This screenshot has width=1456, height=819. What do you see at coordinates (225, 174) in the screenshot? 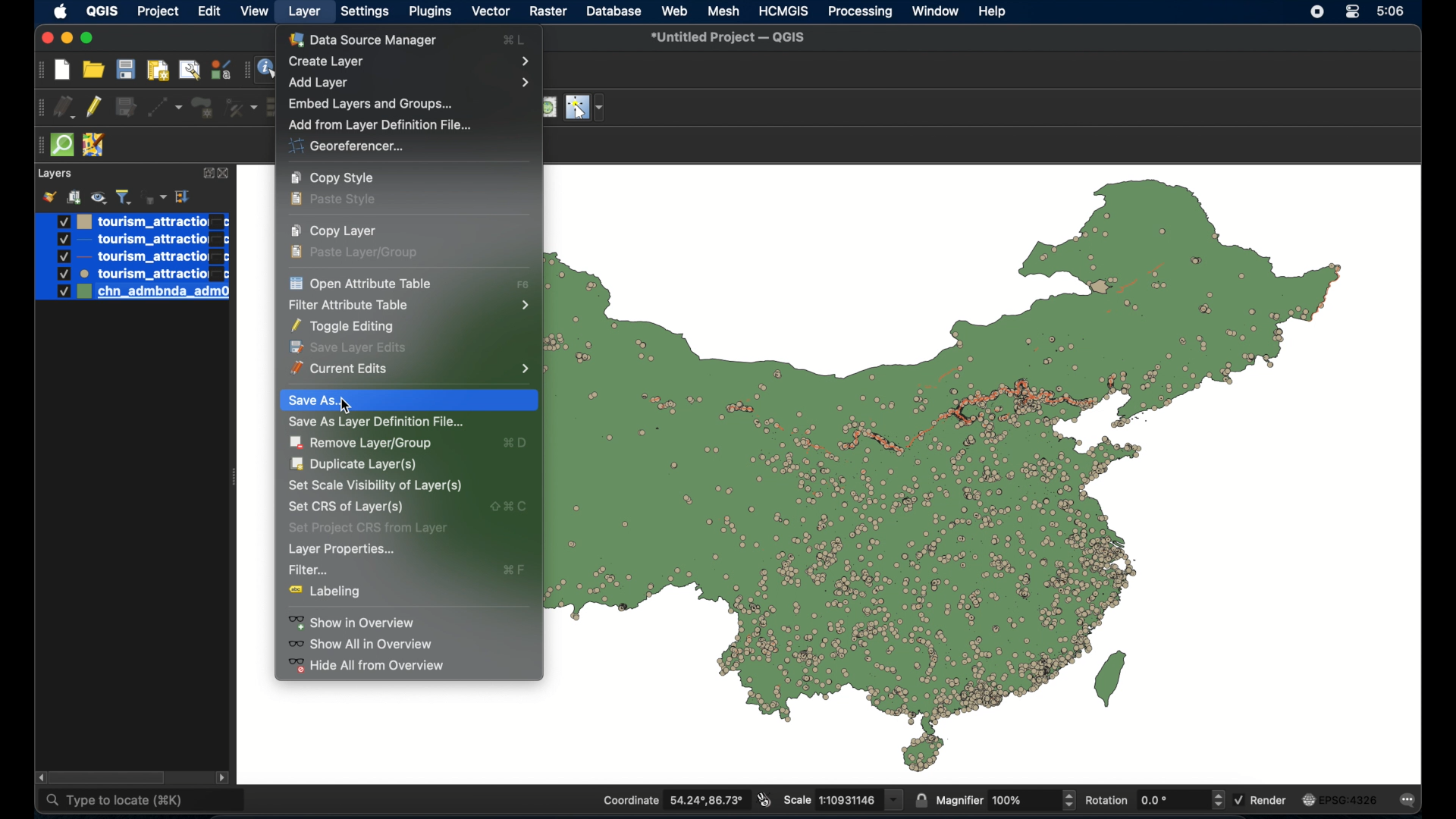
I see `close` at bounding box center [225, 174].